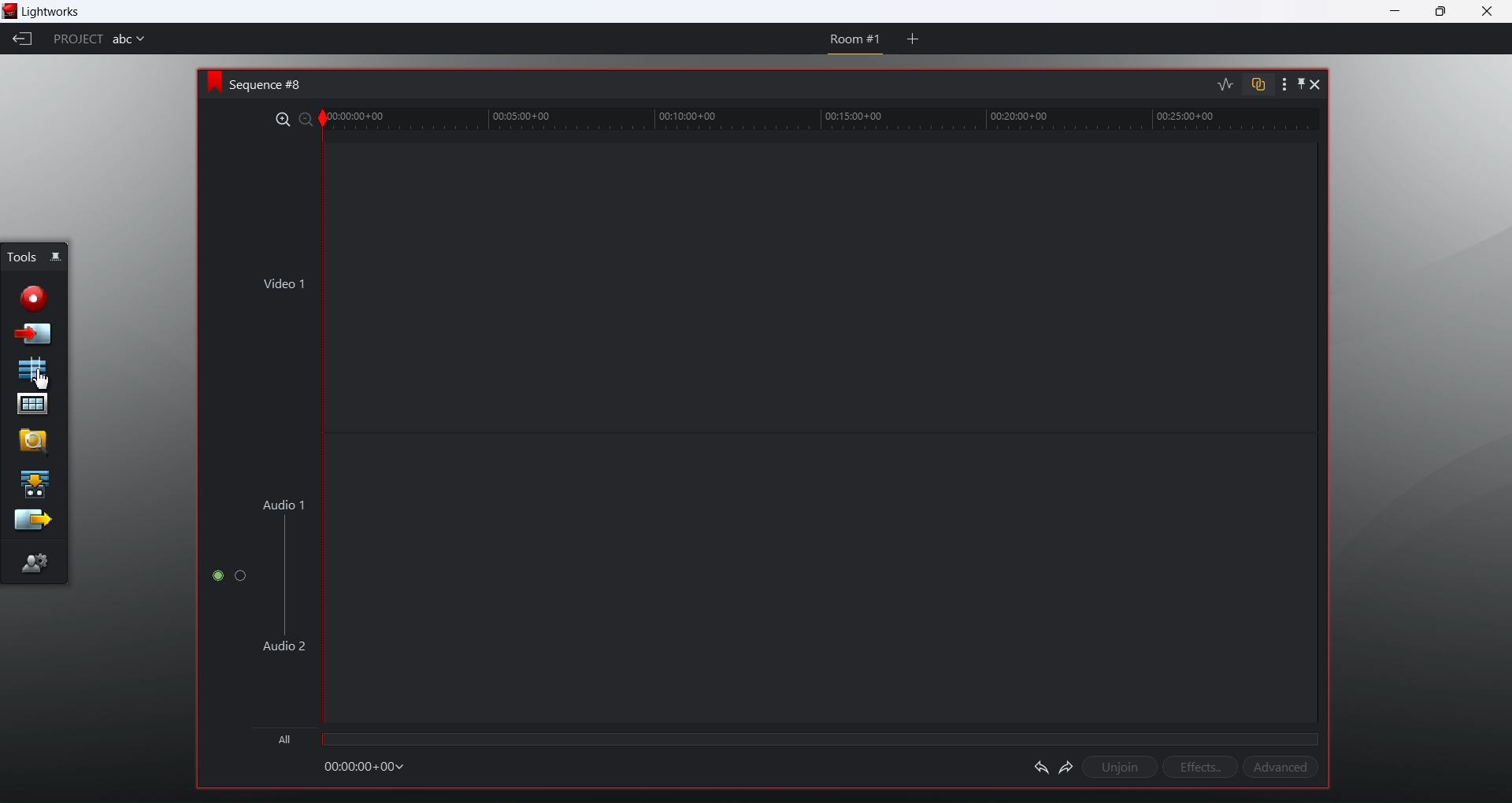 Image resolution: width=1512 pixels, height=803 pixels. Describe the element at coordinates (821, 435) in the screenshot. I see `track space` at that location.